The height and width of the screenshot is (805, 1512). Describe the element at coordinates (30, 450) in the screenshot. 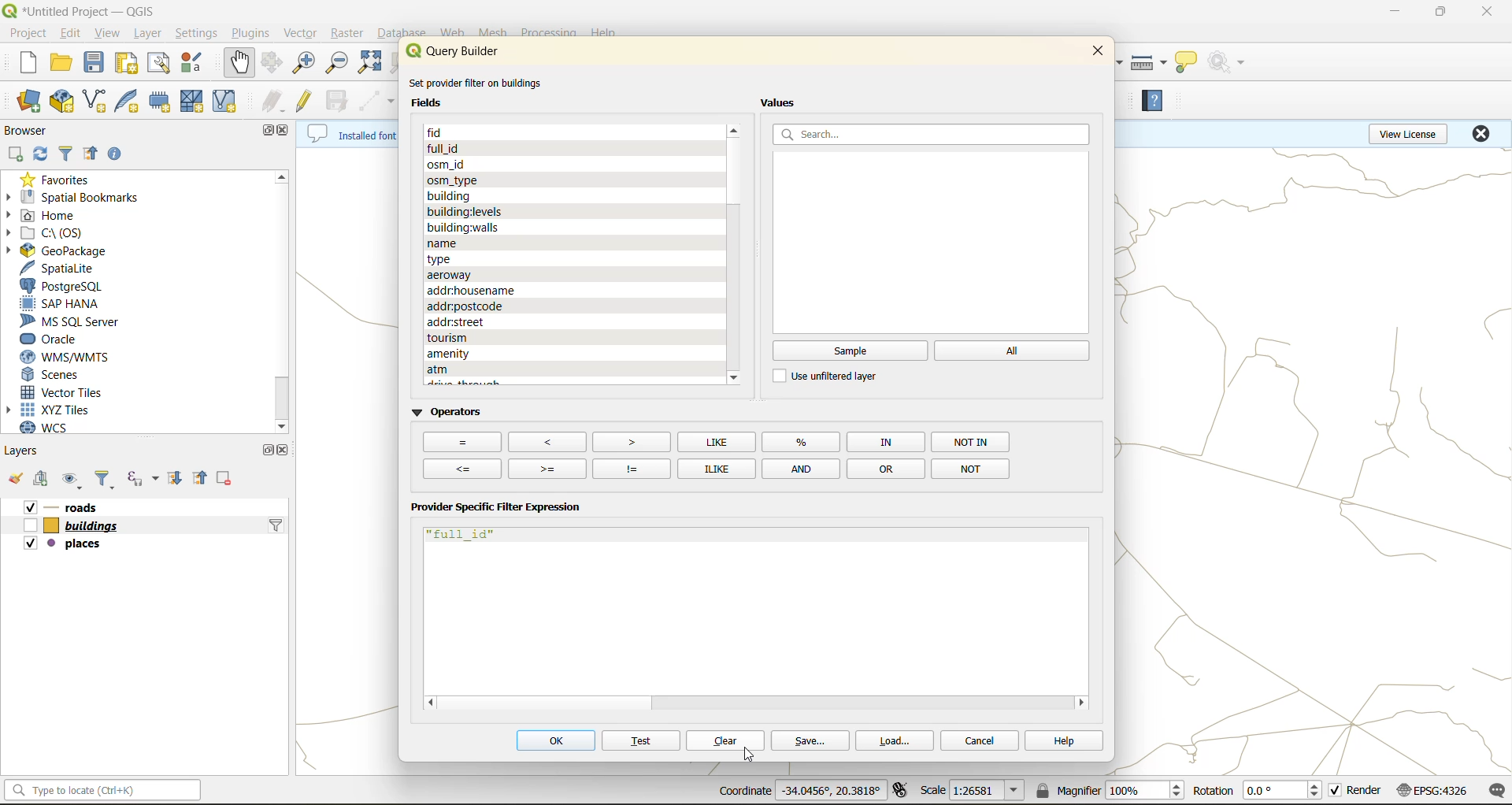

I see `layers` at that location.